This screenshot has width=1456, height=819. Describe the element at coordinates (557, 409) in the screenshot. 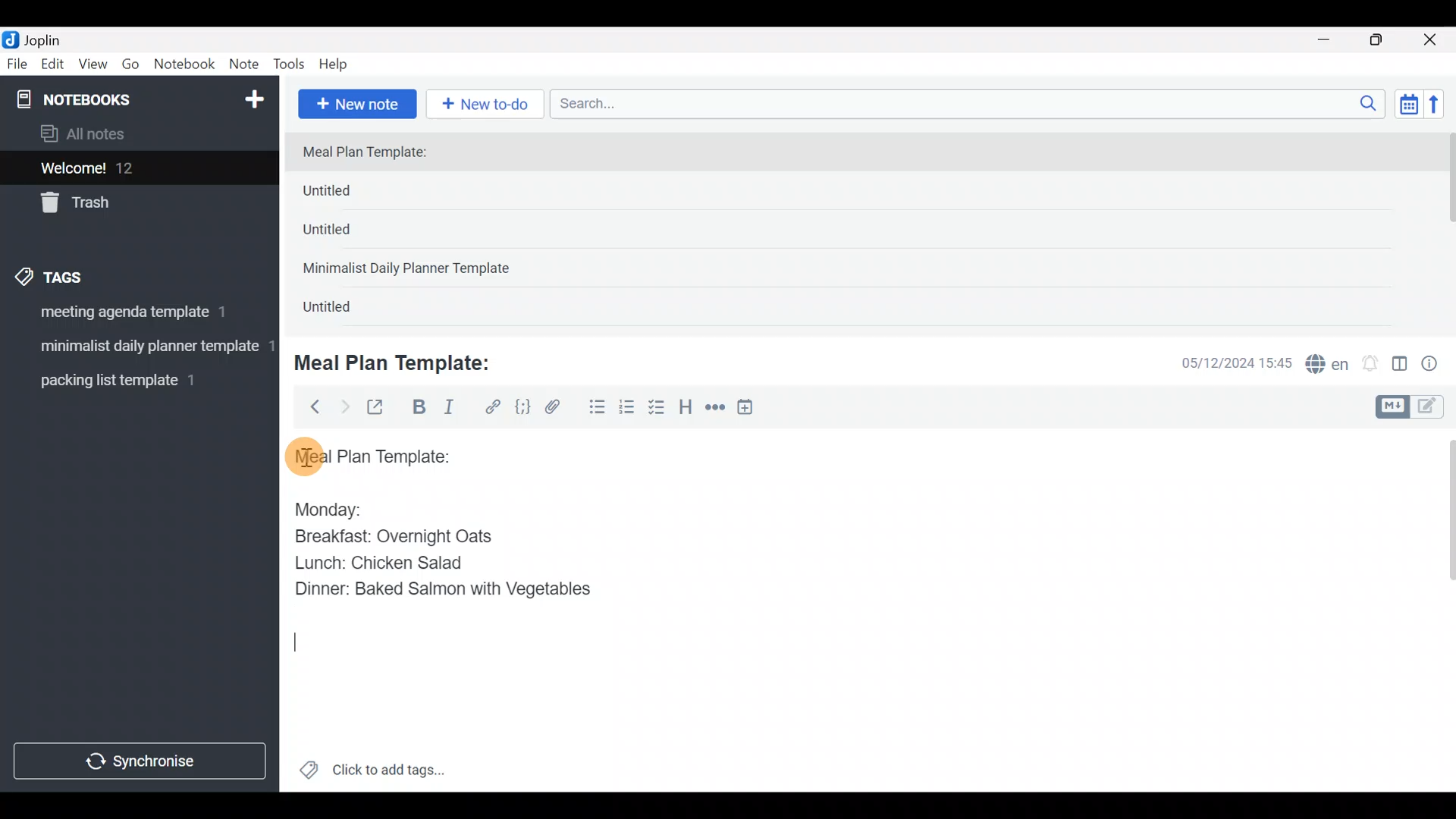

I see `Attach file` at that location.